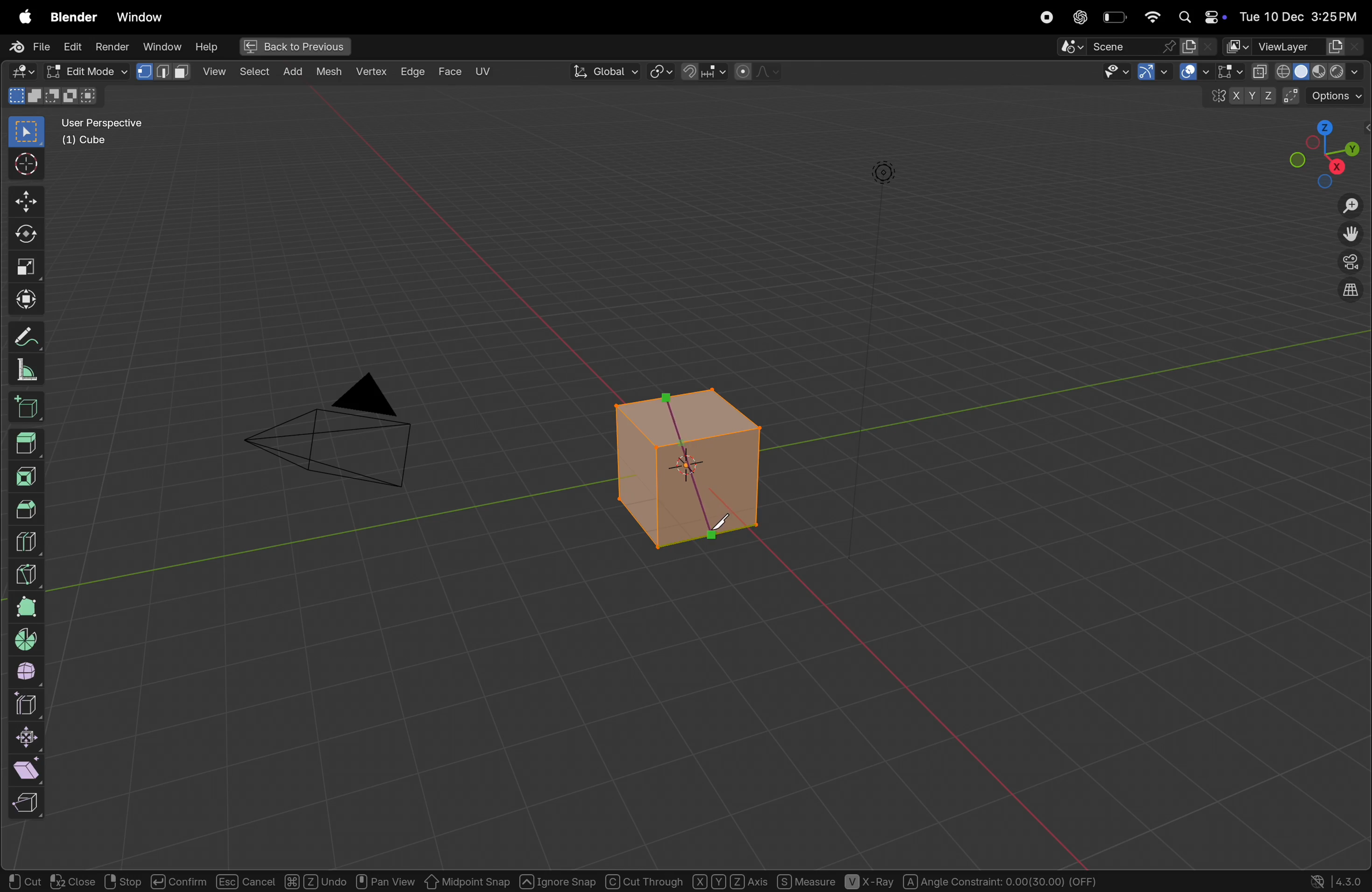 The height and width of the screenshot is (892, 1372). I want to click on 4.3.0, so click(1352, 880).